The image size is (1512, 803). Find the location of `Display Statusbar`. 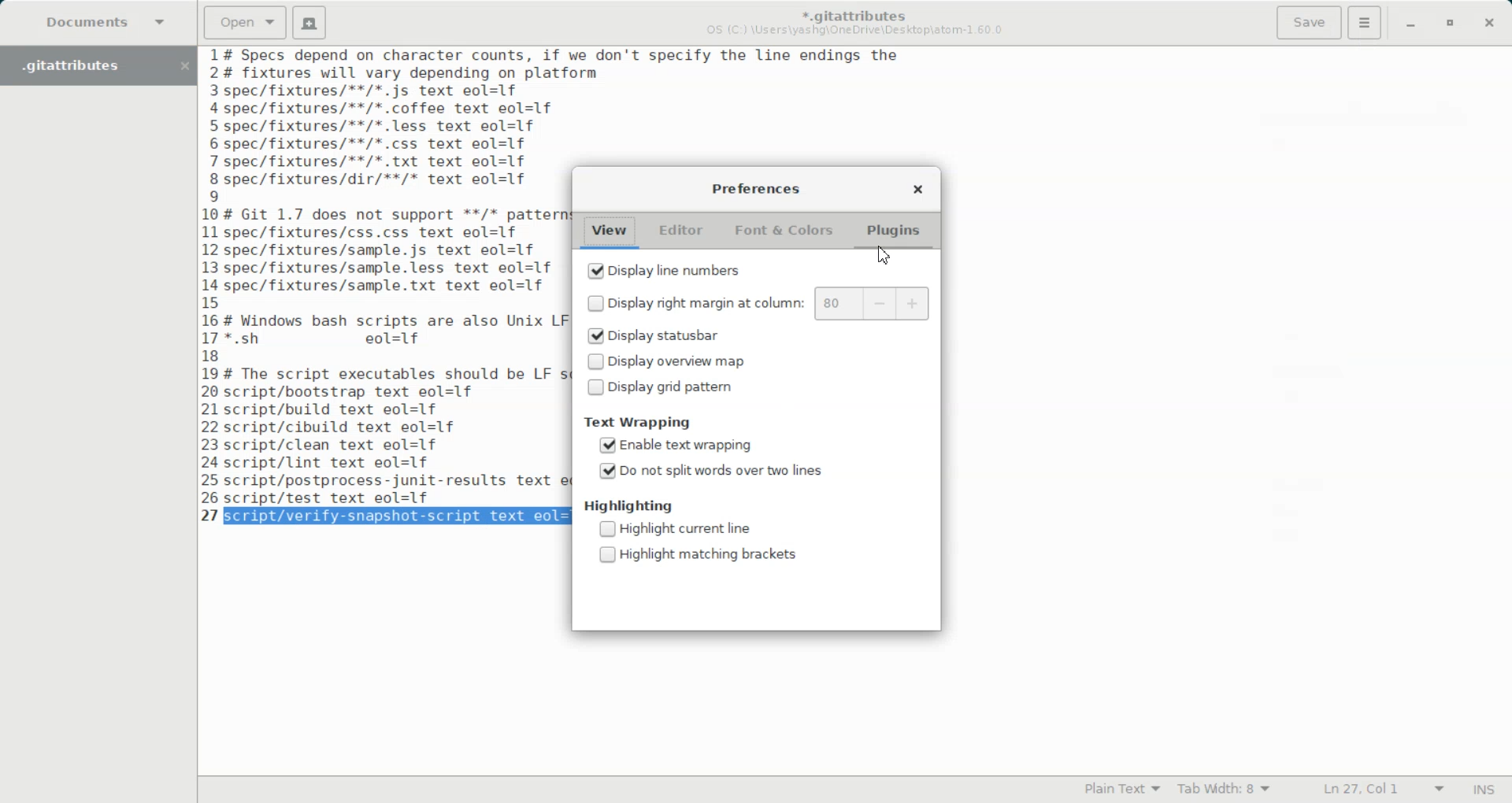

Display Statusbar is located at coordinates (690, 337).